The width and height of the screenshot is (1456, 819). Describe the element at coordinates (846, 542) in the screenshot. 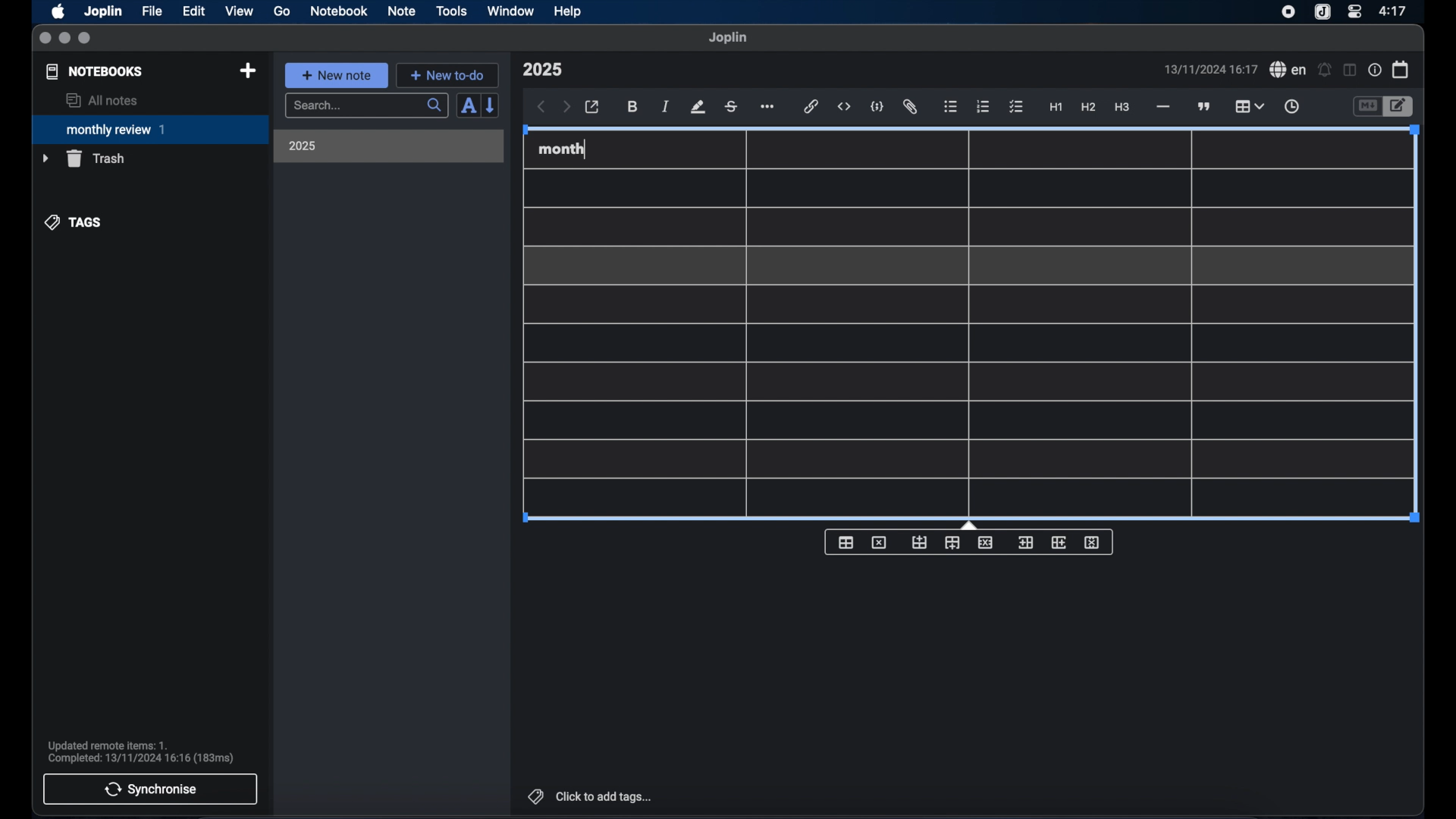

I see `insert table` at that location.